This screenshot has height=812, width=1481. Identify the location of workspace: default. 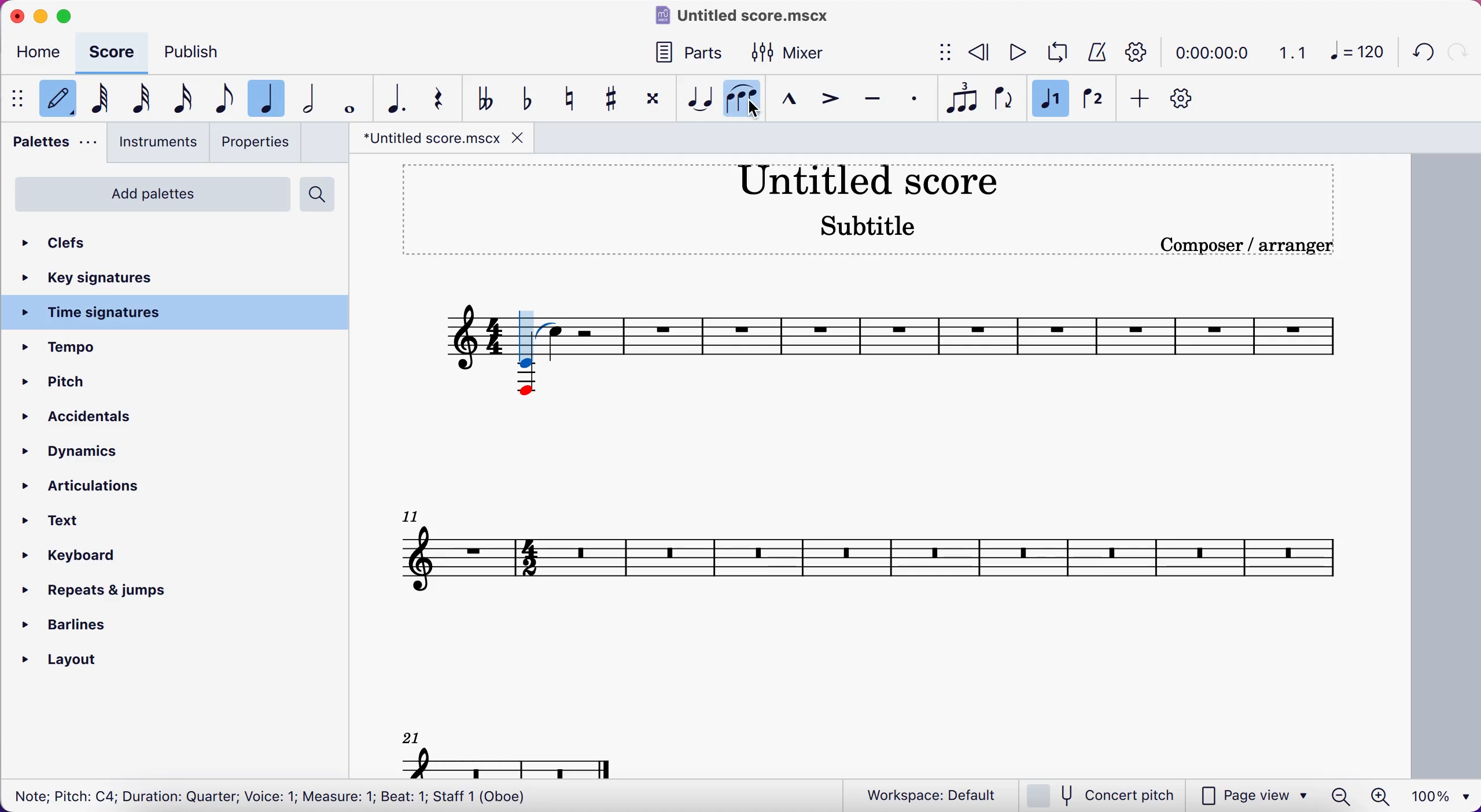
(932, 795).